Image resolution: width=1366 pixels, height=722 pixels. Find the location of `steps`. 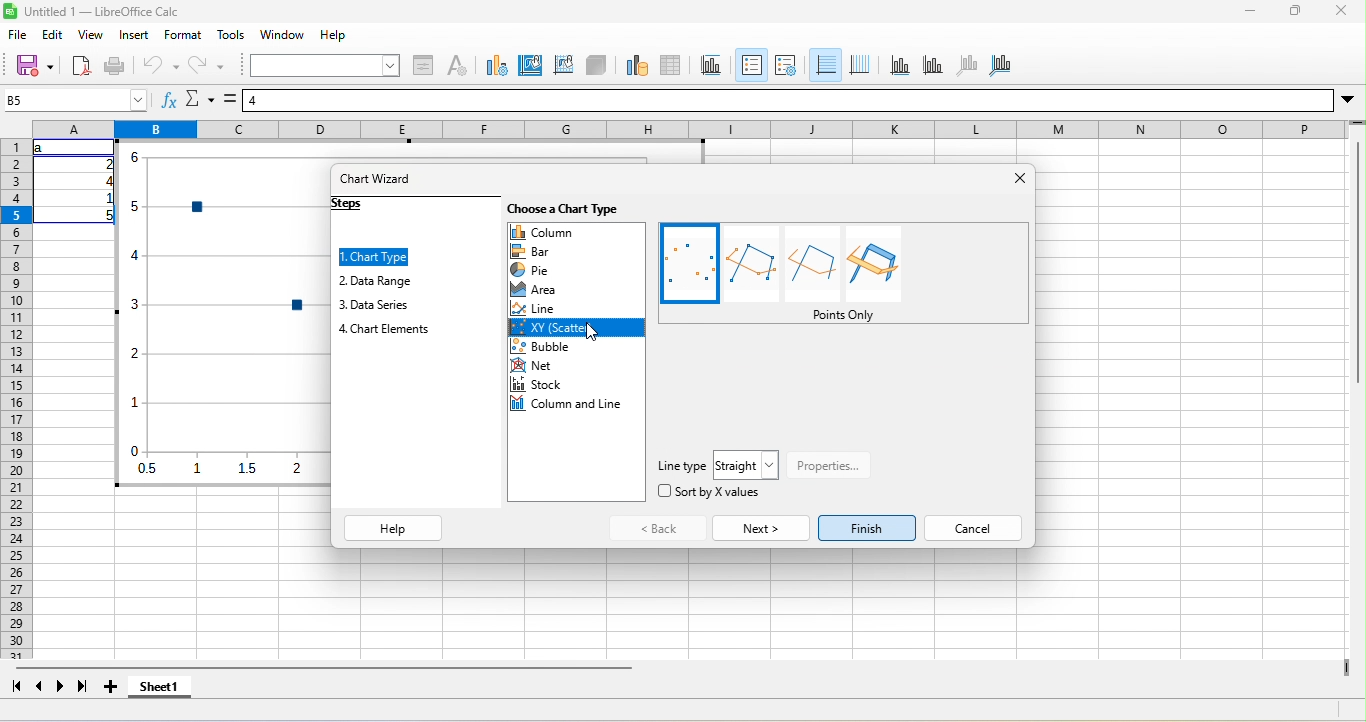

steps is located at coordinates (348, 204).